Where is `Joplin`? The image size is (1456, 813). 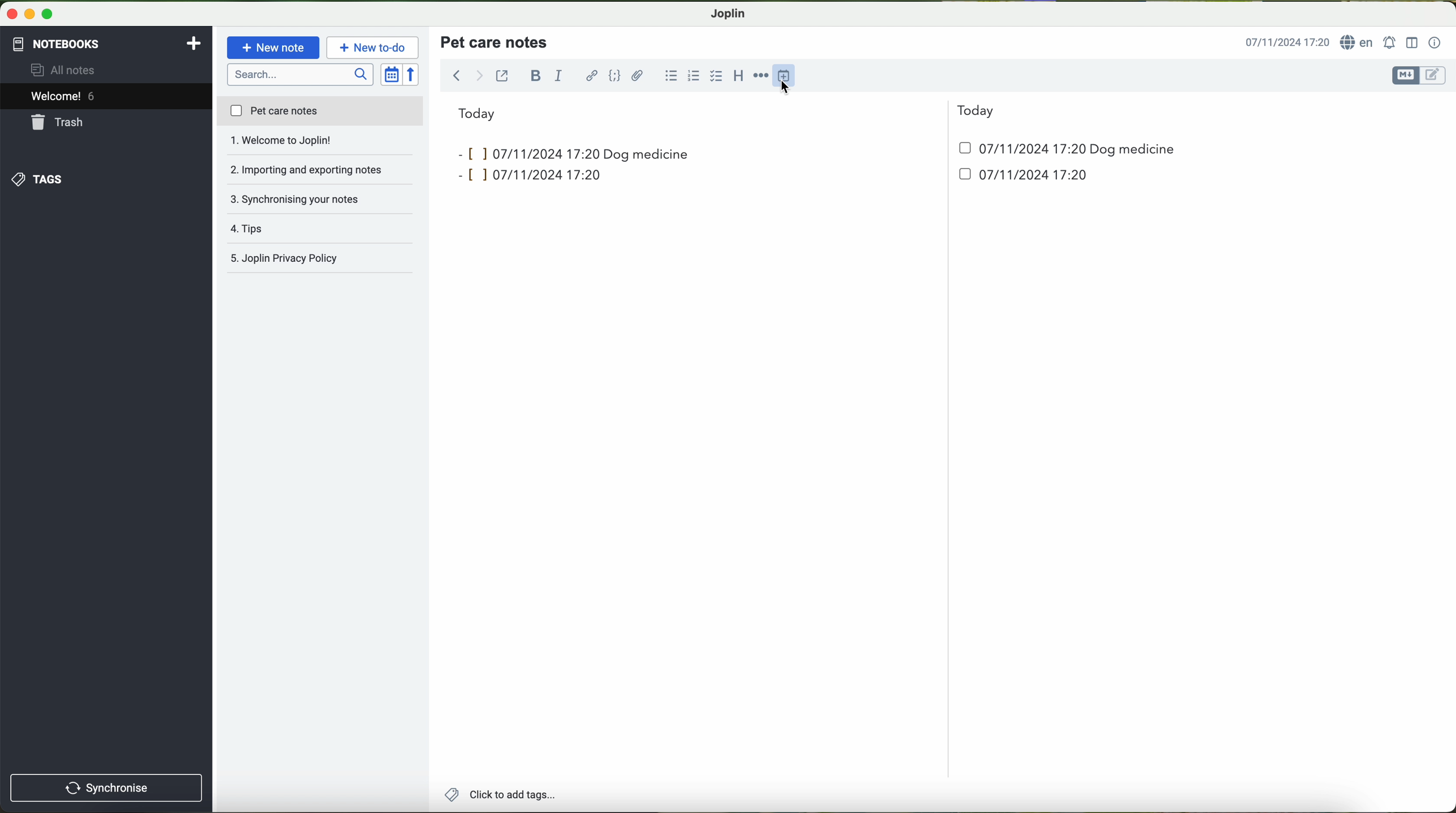
Joplin is located at coordinates (729, 12).